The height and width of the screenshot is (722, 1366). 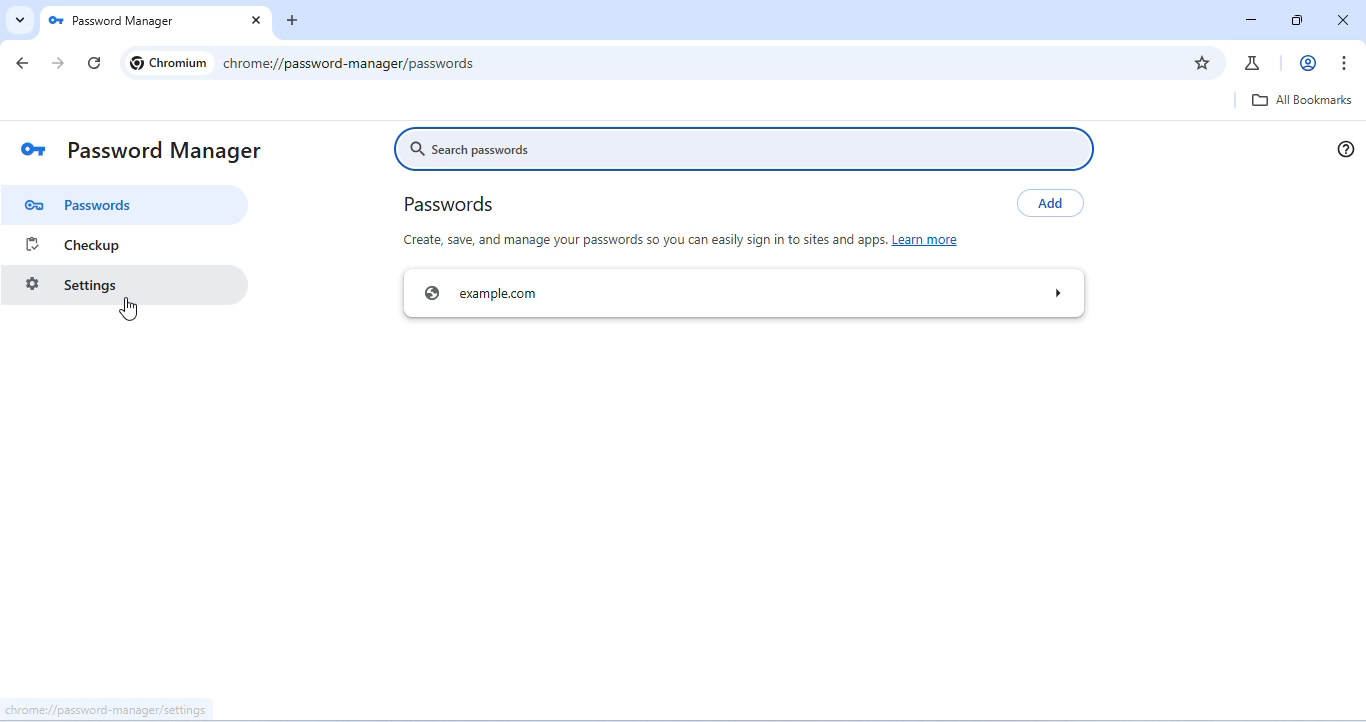 What do you see at coordinates (293, 20) in the screenshot?
I see `add new tab` at bounding box center [293, 20].